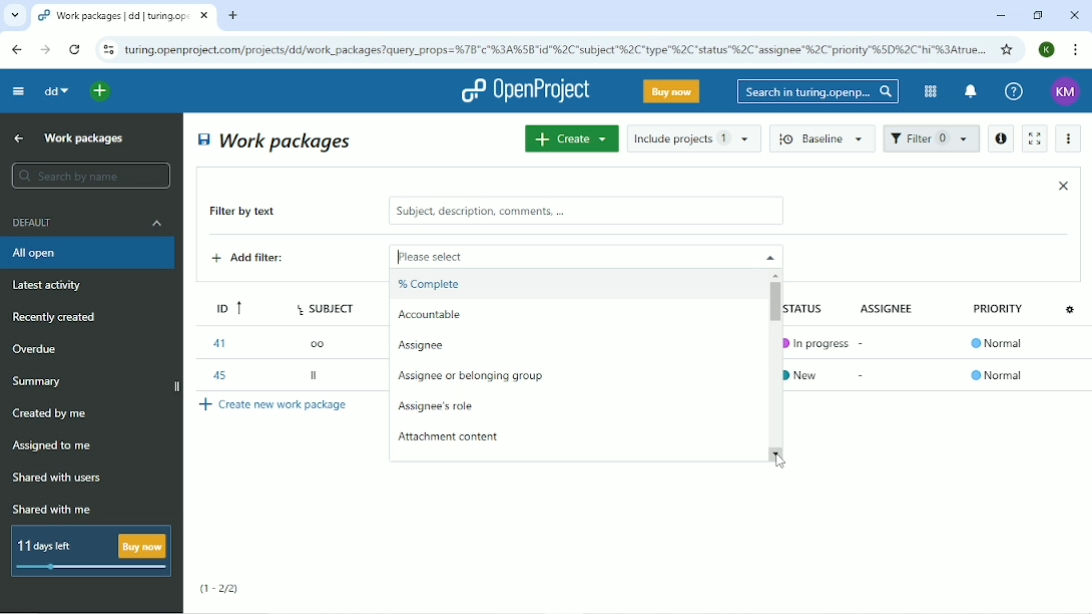 The image size is (1092, 614). Describe the element at coordinates (233, 16) in the screenshot. I see `New tab` at that location.